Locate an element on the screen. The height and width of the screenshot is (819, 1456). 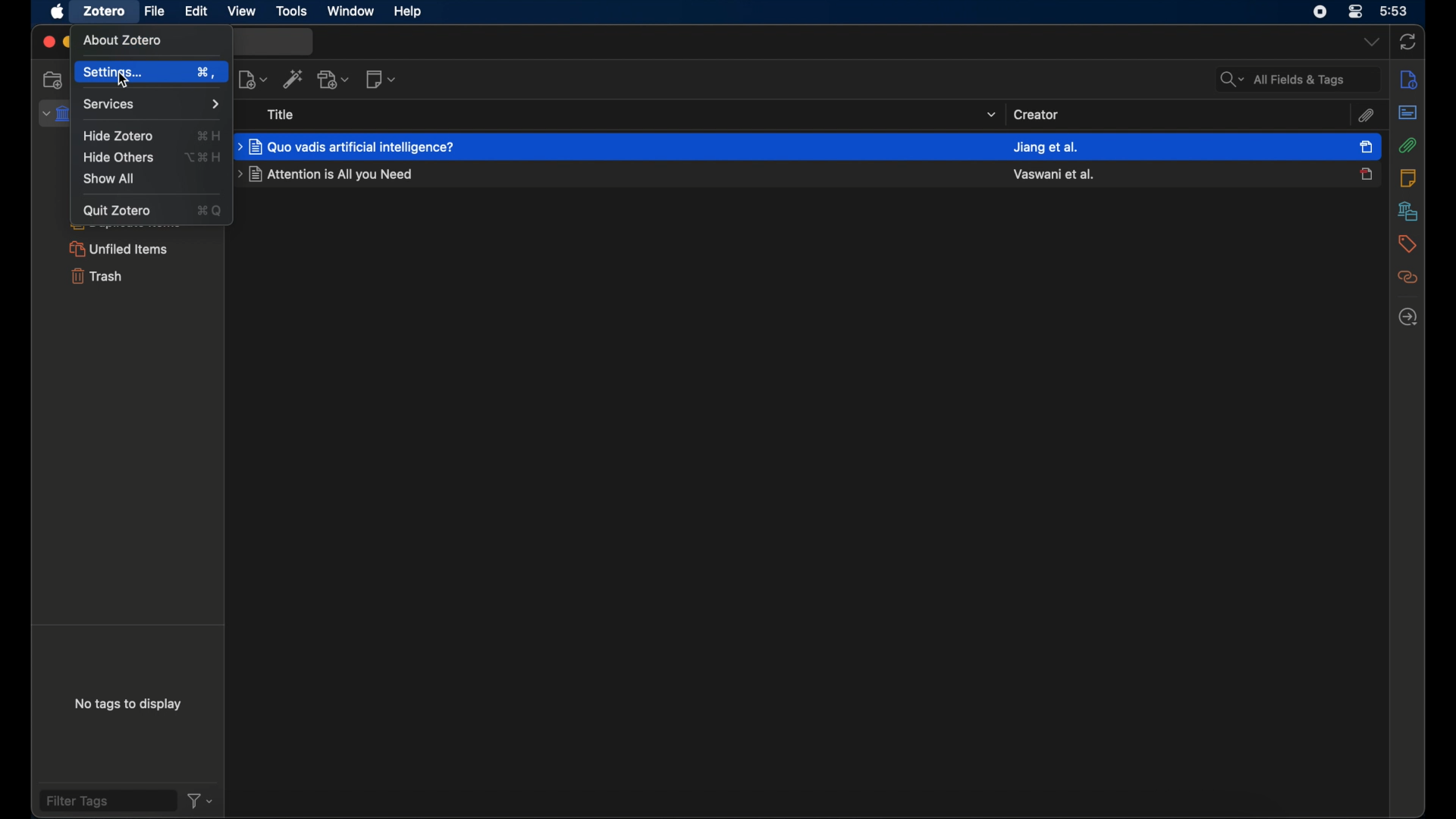
title is located at coordinates (283, 115).